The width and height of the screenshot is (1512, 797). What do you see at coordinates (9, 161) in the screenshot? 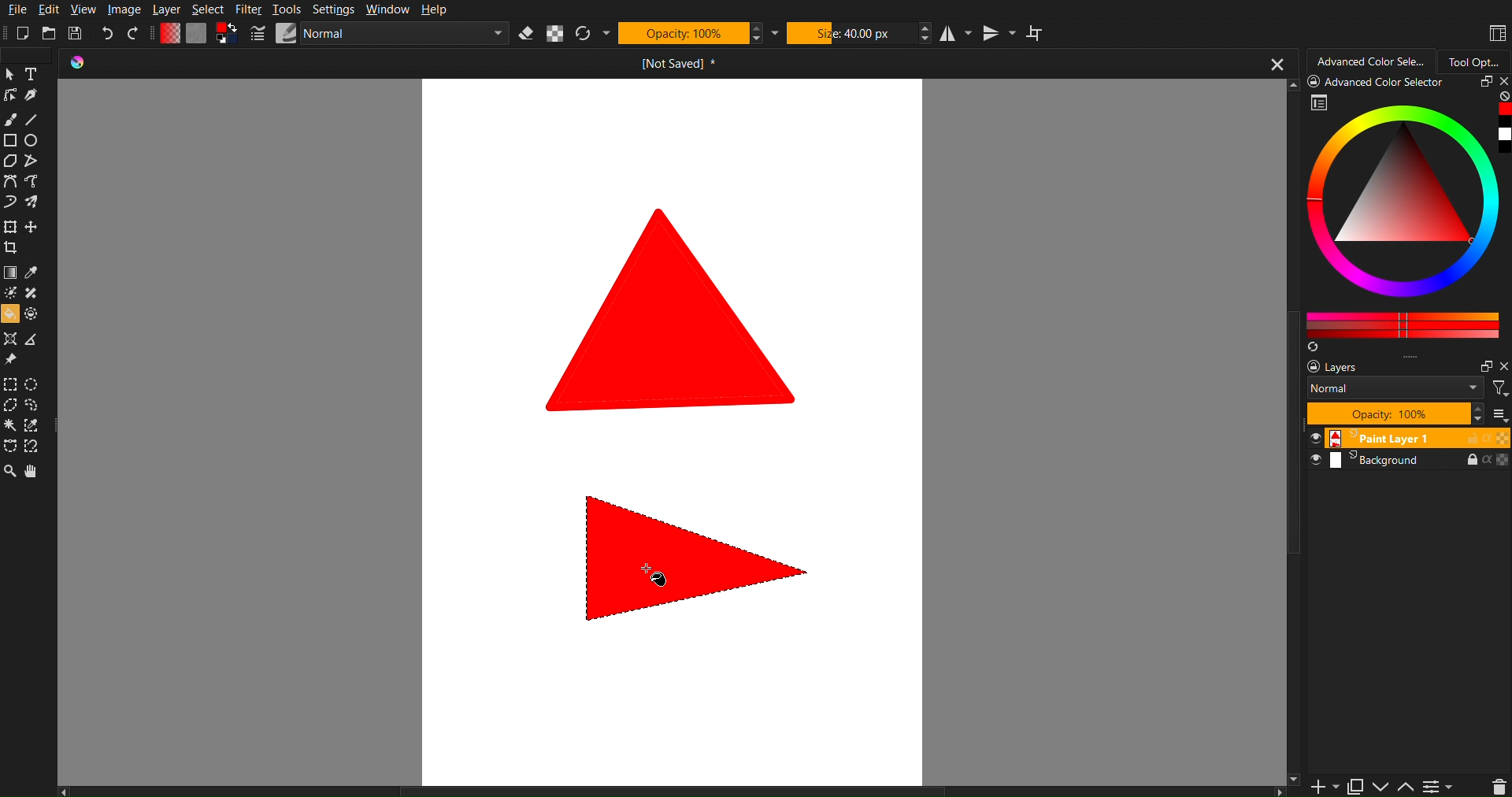
I see `Polygon` at bounding box center [9, 161].